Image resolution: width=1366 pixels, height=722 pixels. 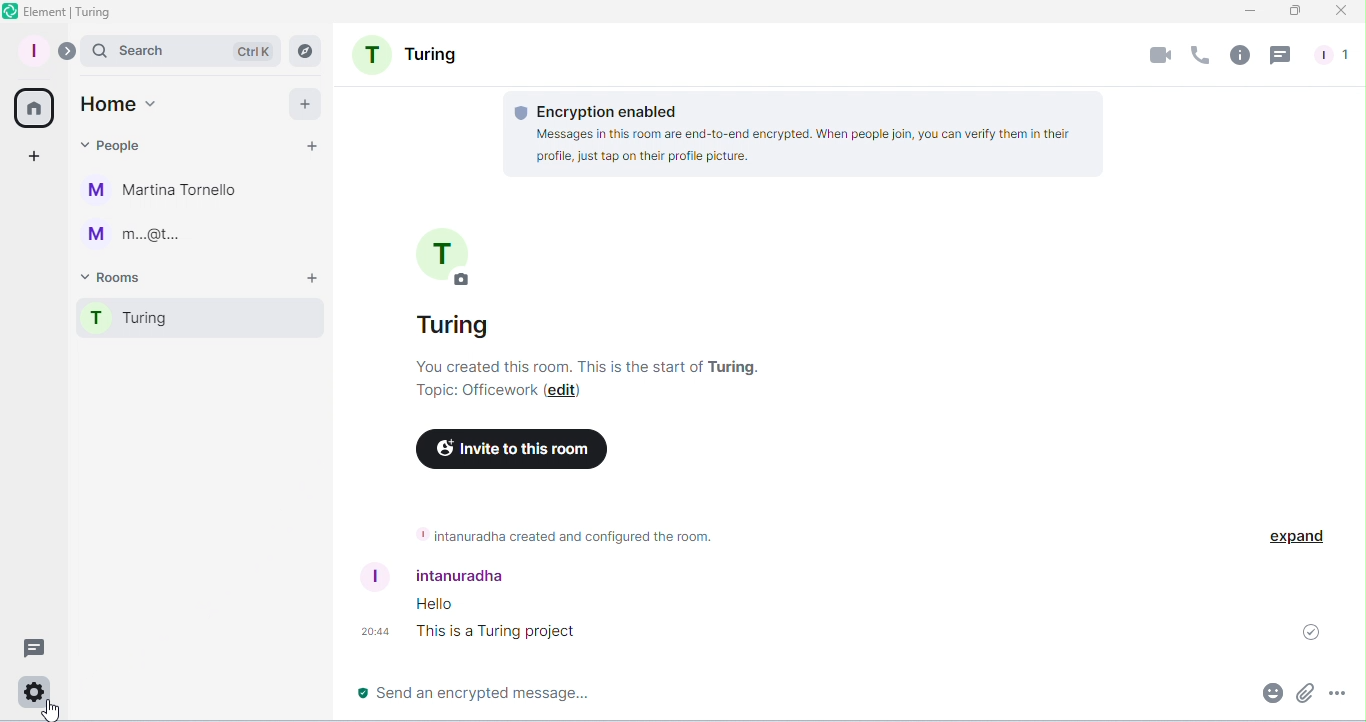 What do you see at coordinates (1333, 58) in the screenshot?
I see `People` at bounding box center [1333, 58].